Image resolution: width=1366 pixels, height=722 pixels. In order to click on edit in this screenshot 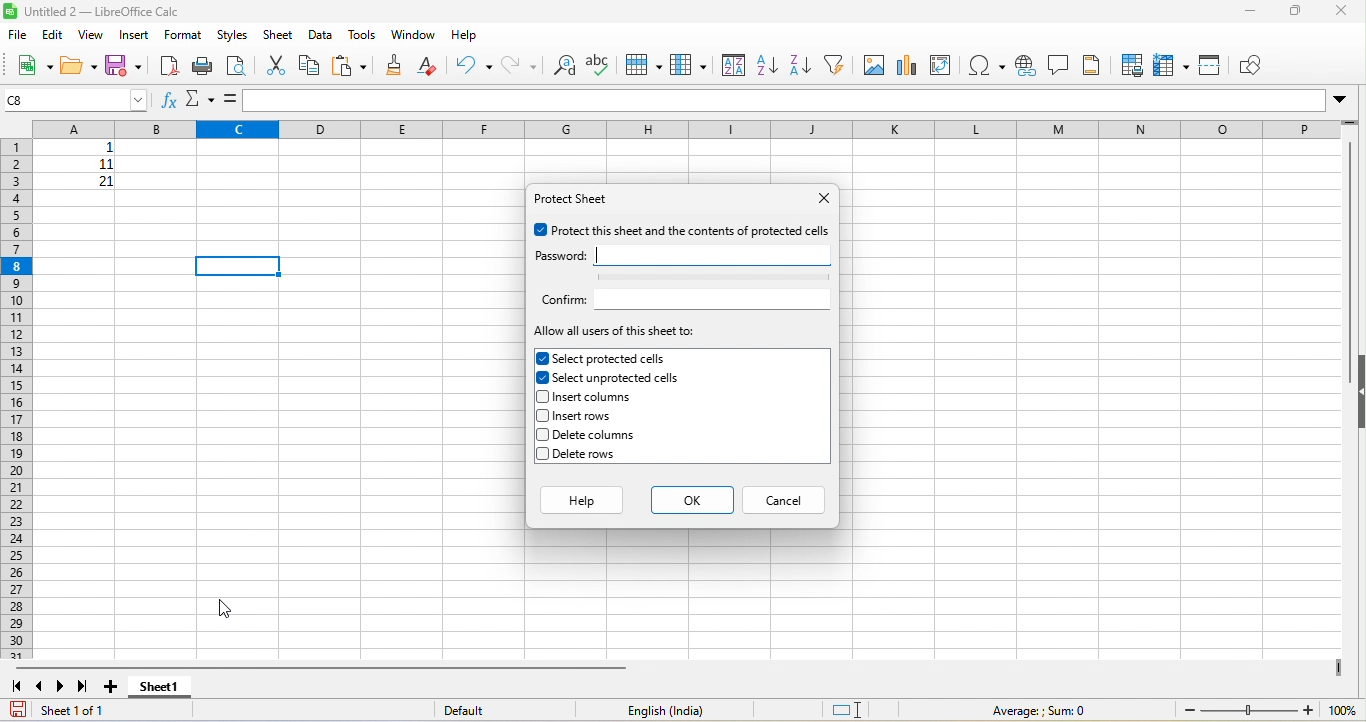, I will do `click(51, 35)`.